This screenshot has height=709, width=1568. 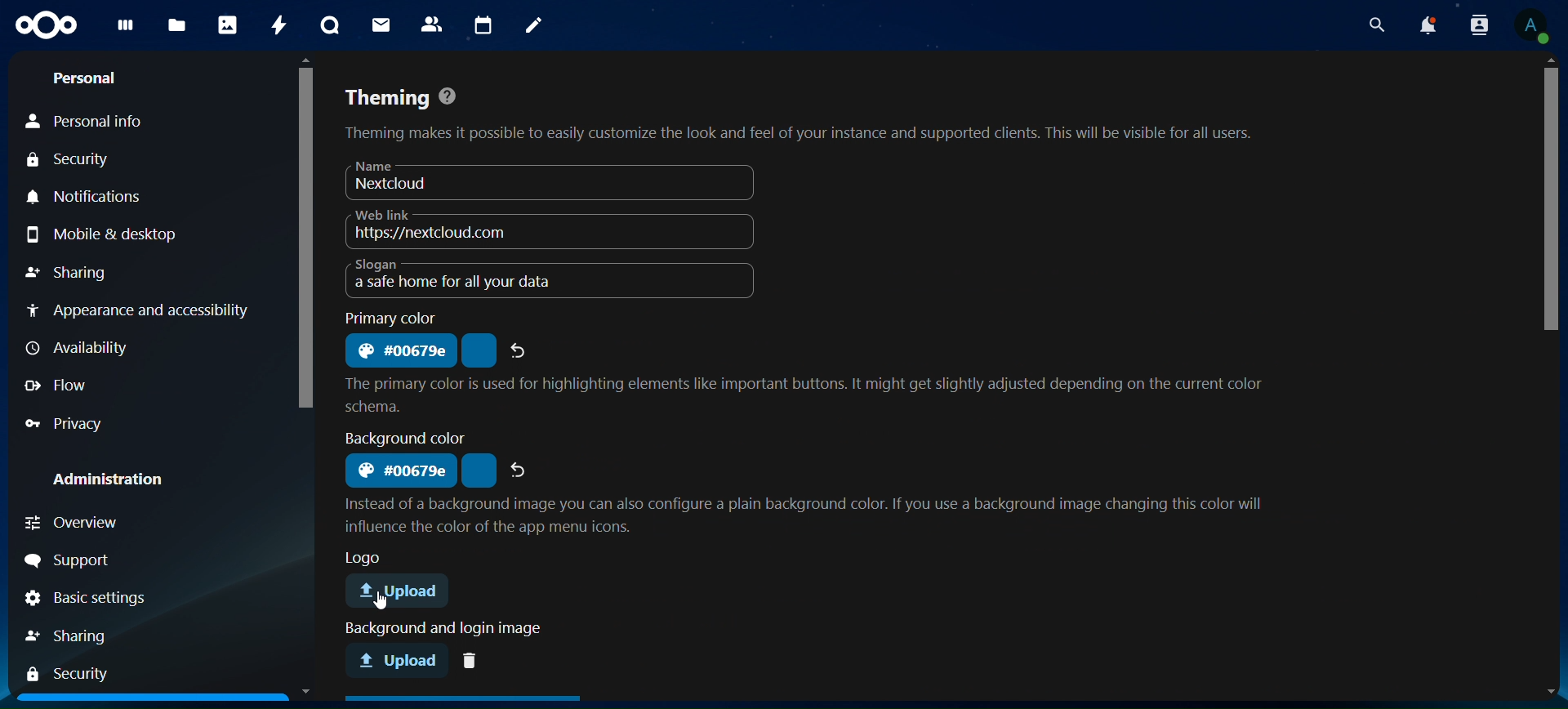 What do you see at coordinates (74, 386) in the screenshot?
I see `flow` at bounding box center [74, 386].